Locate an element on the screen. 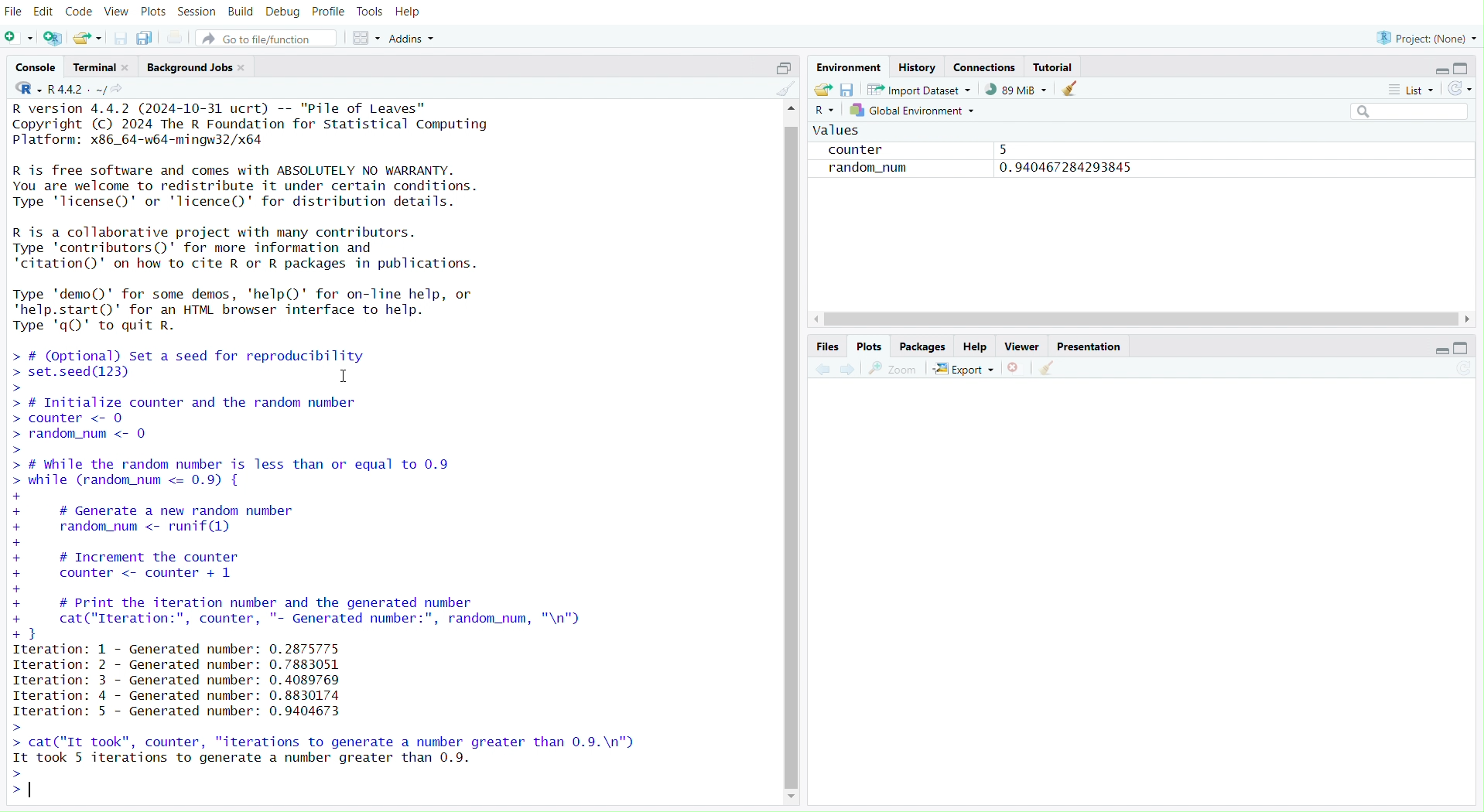 Image resolution: width=1484 pixels, height=812 pixels. Maximize is located at coordinates (782, 66).